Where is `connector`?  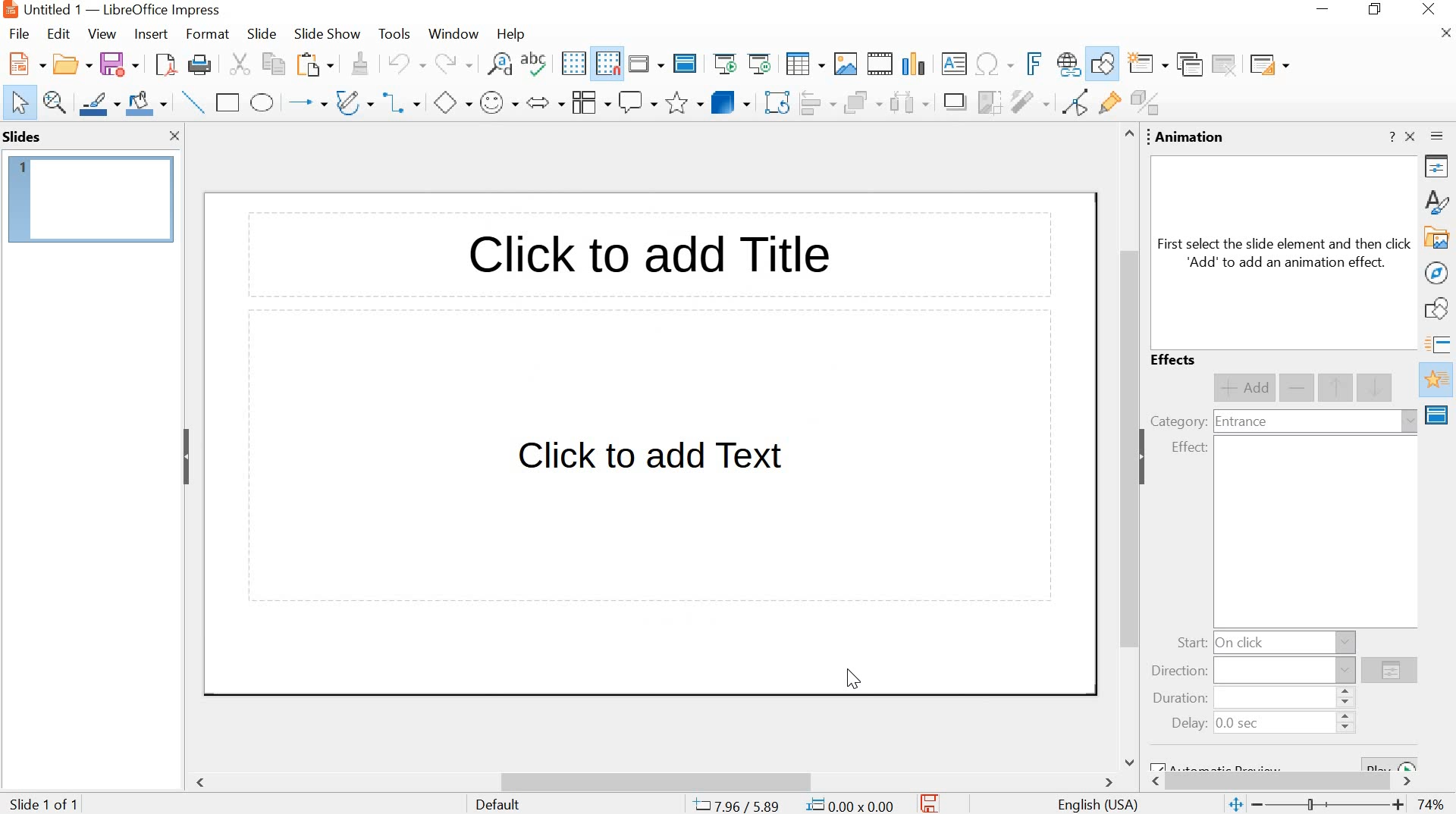 connector is located at coordinates (402, 104).